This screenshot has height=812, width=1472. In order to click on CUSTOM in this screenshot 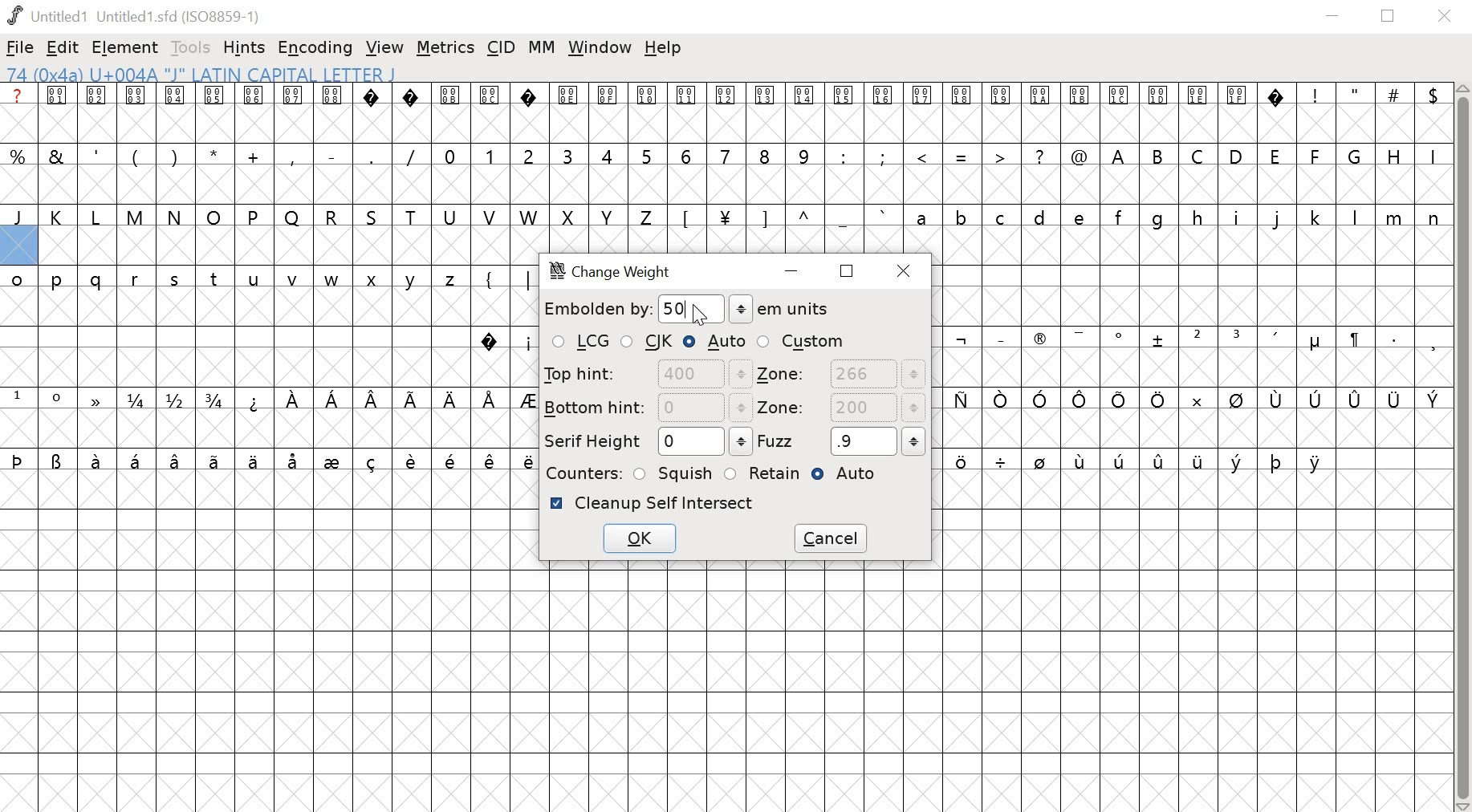, I will do `click(802, 341)`.